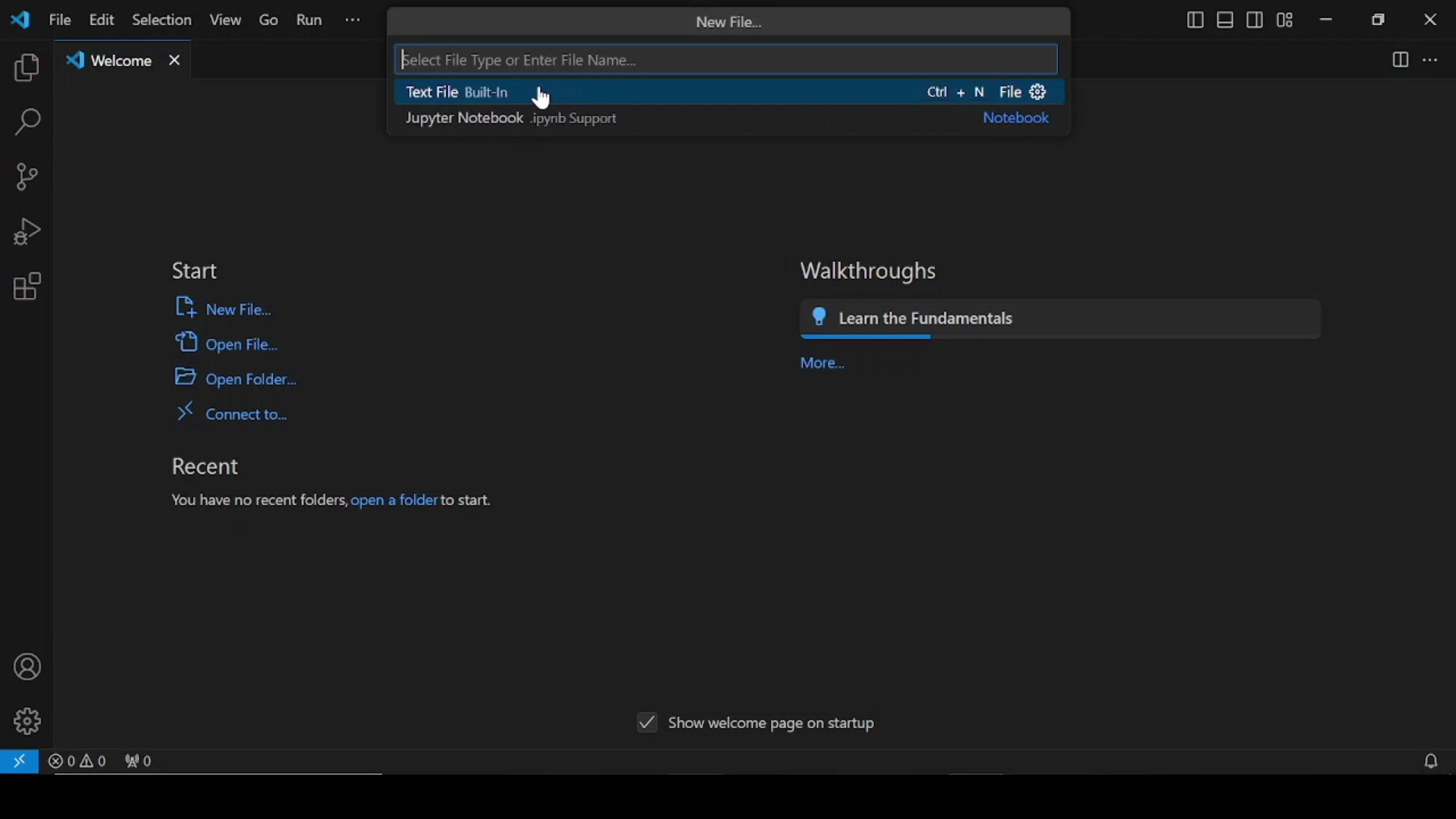 This screenshot has height=819, width=1456. What do you see at coordinates (1226, 20) in the screenshot?
I see `toggle panel` at bounding box center [1226, 20].